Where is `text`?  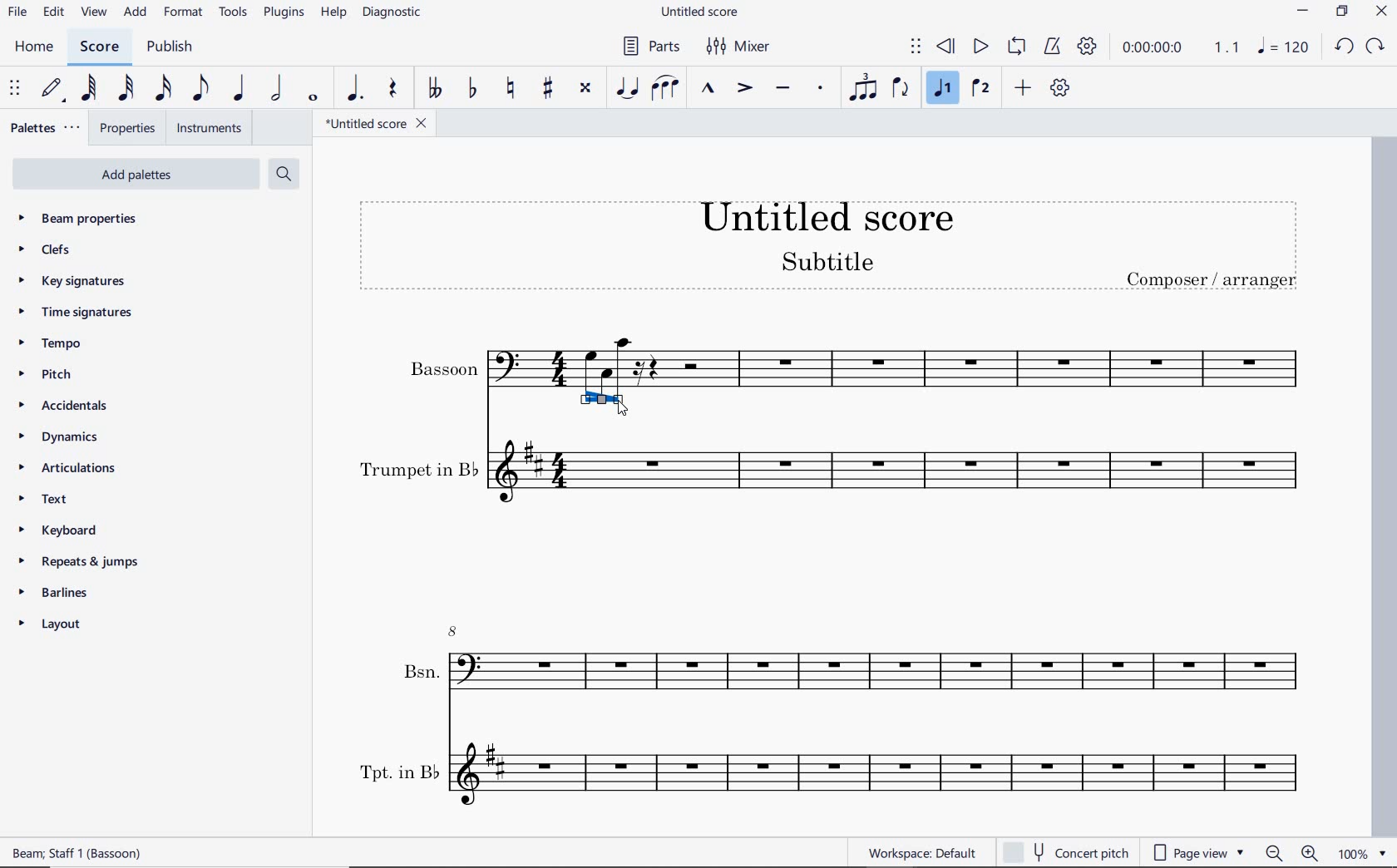 text is located at coordinates (46, 499).